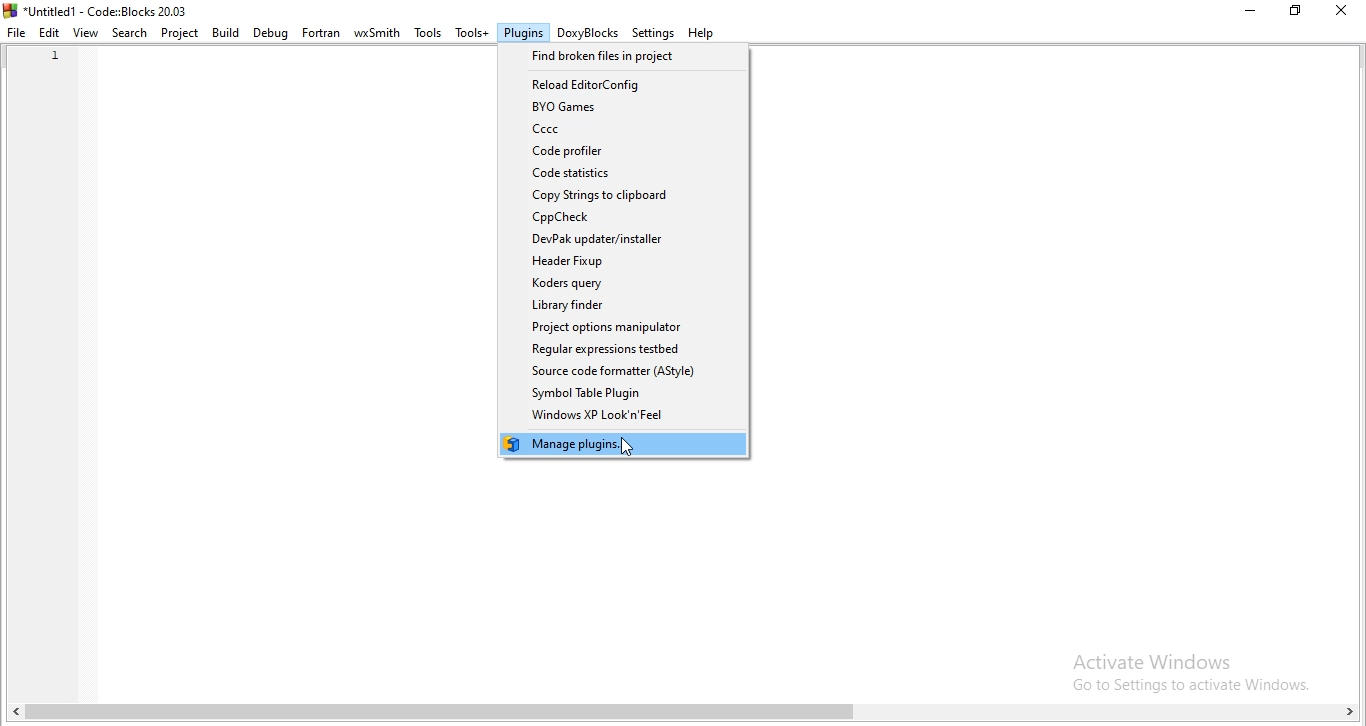 The width and height of the screenshot is (1366, 726). What do you see at coordinates (472, 31) in the screenshot?
I see `Tools+` at bounding box center [472, 31].